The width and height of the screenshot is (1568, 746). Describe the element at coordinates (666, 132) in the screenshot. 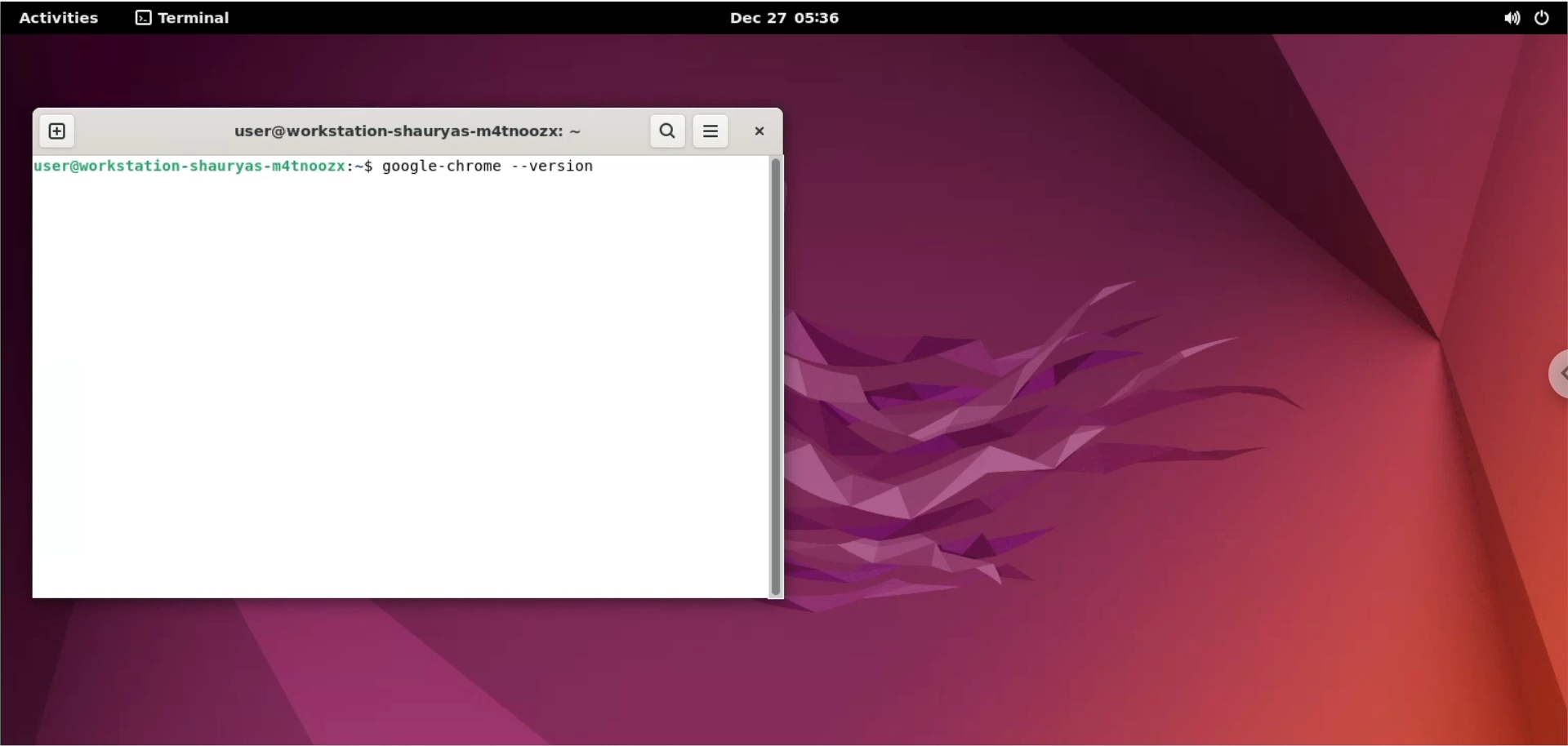

I see `search button` at that location.